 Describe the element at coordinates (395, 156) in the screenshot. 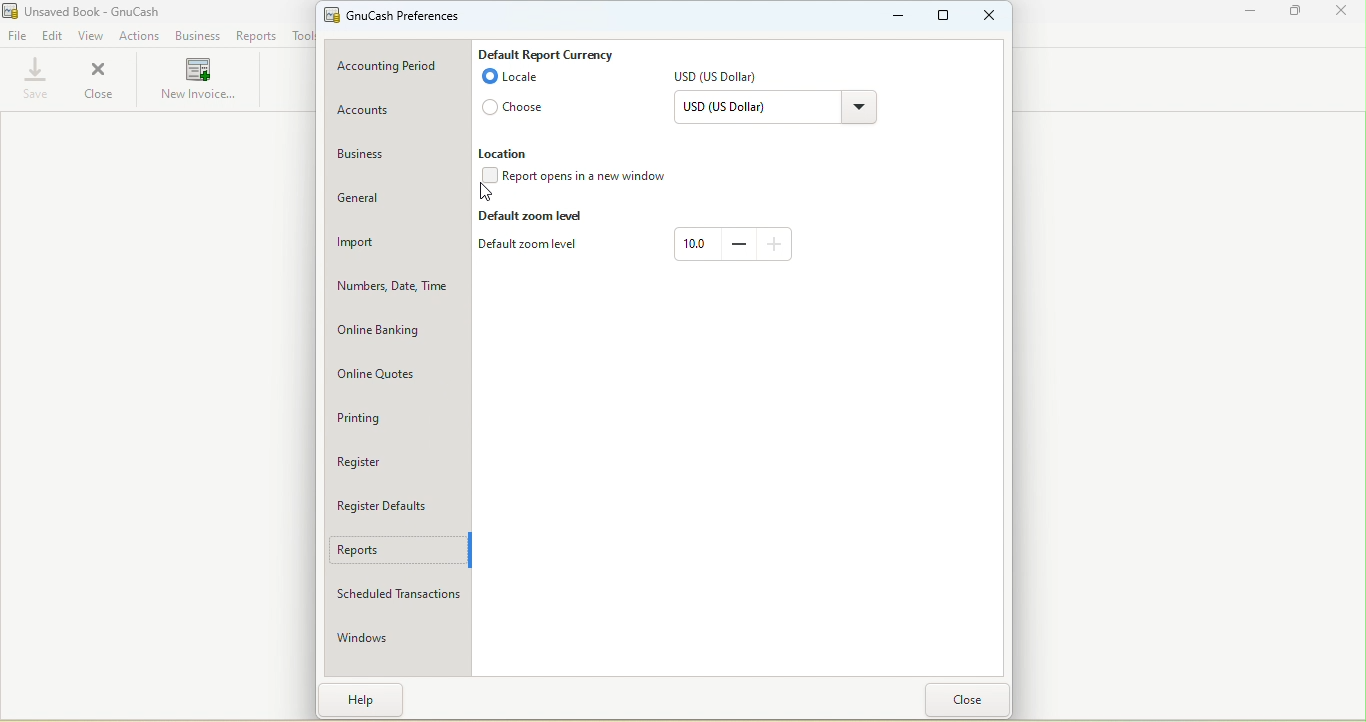

I see `Business` at that location.